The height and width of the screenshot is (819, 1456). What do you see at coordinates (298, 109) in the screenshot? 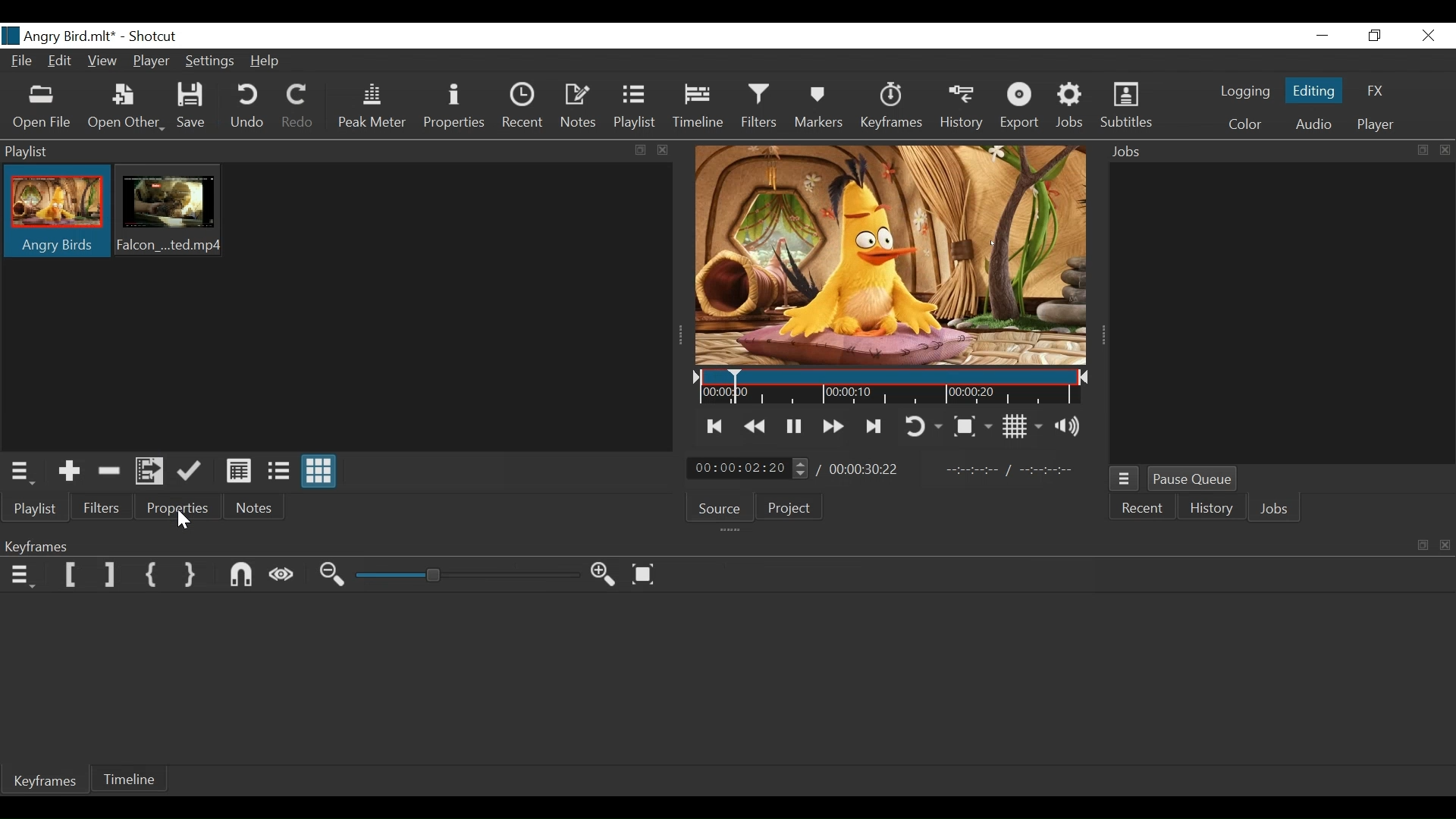
I see `Redo` at bounding box center [298, 109].